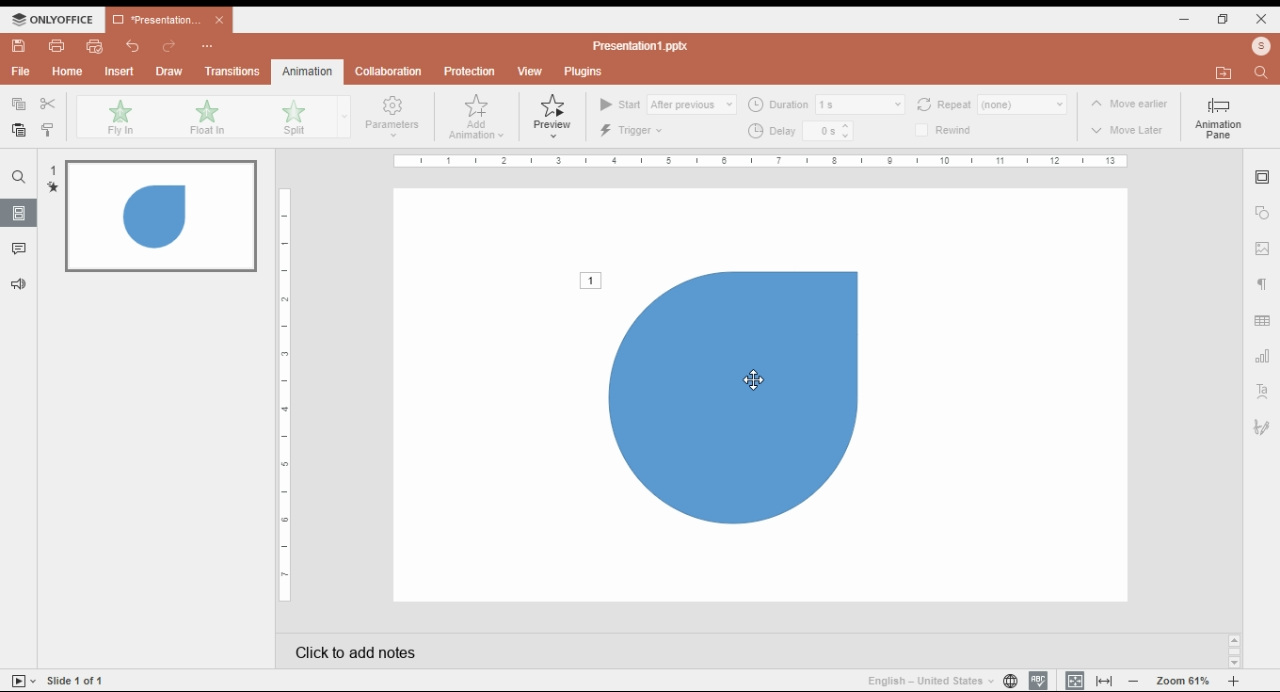 The image size is (1280, 692). Describe the element at coordinates (1262, 392) in the screenshot. I see `text art settings` at that location.